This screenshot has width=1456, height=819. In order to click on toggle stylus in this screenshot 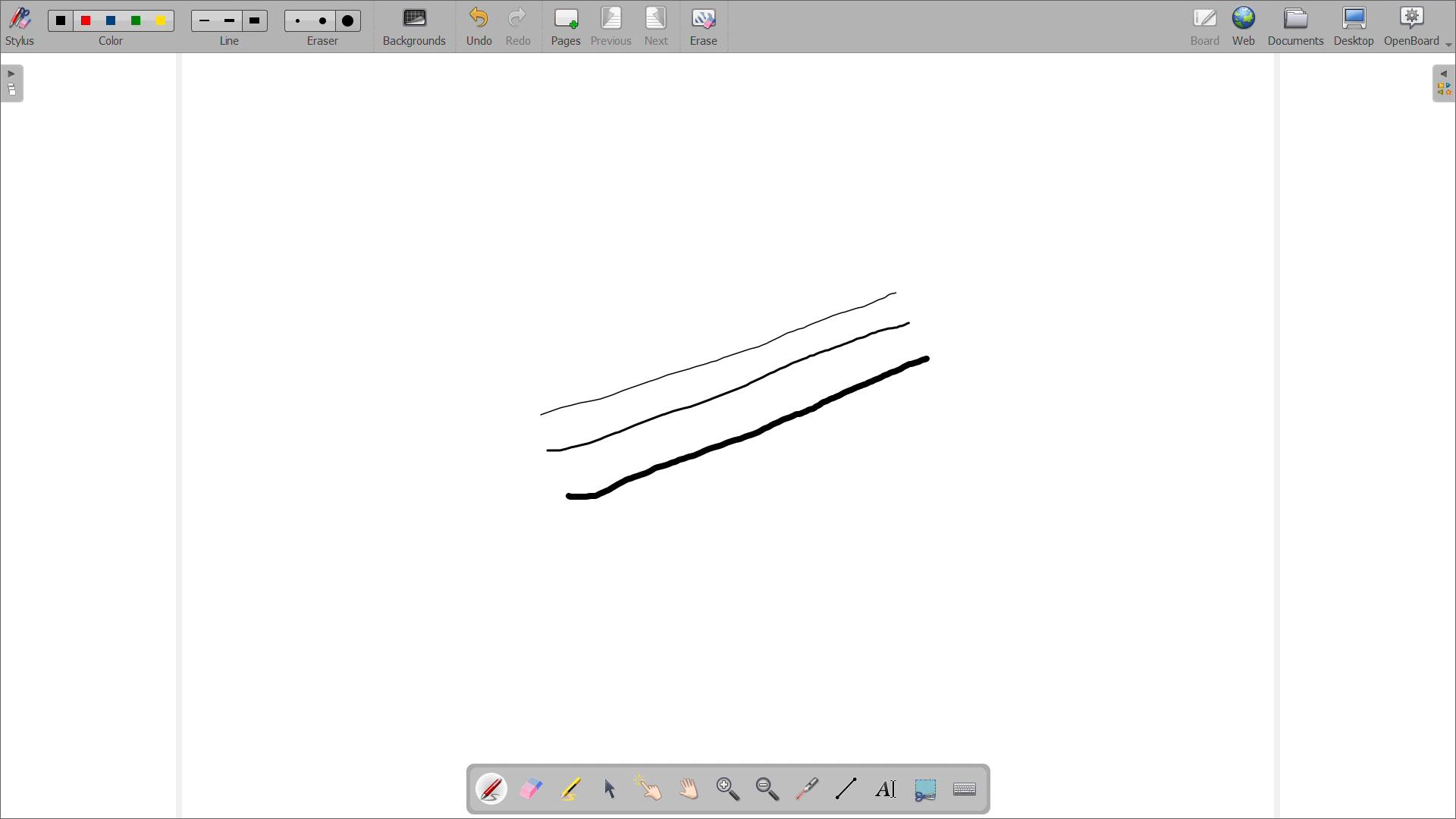, I will do `click(20, 26)`.